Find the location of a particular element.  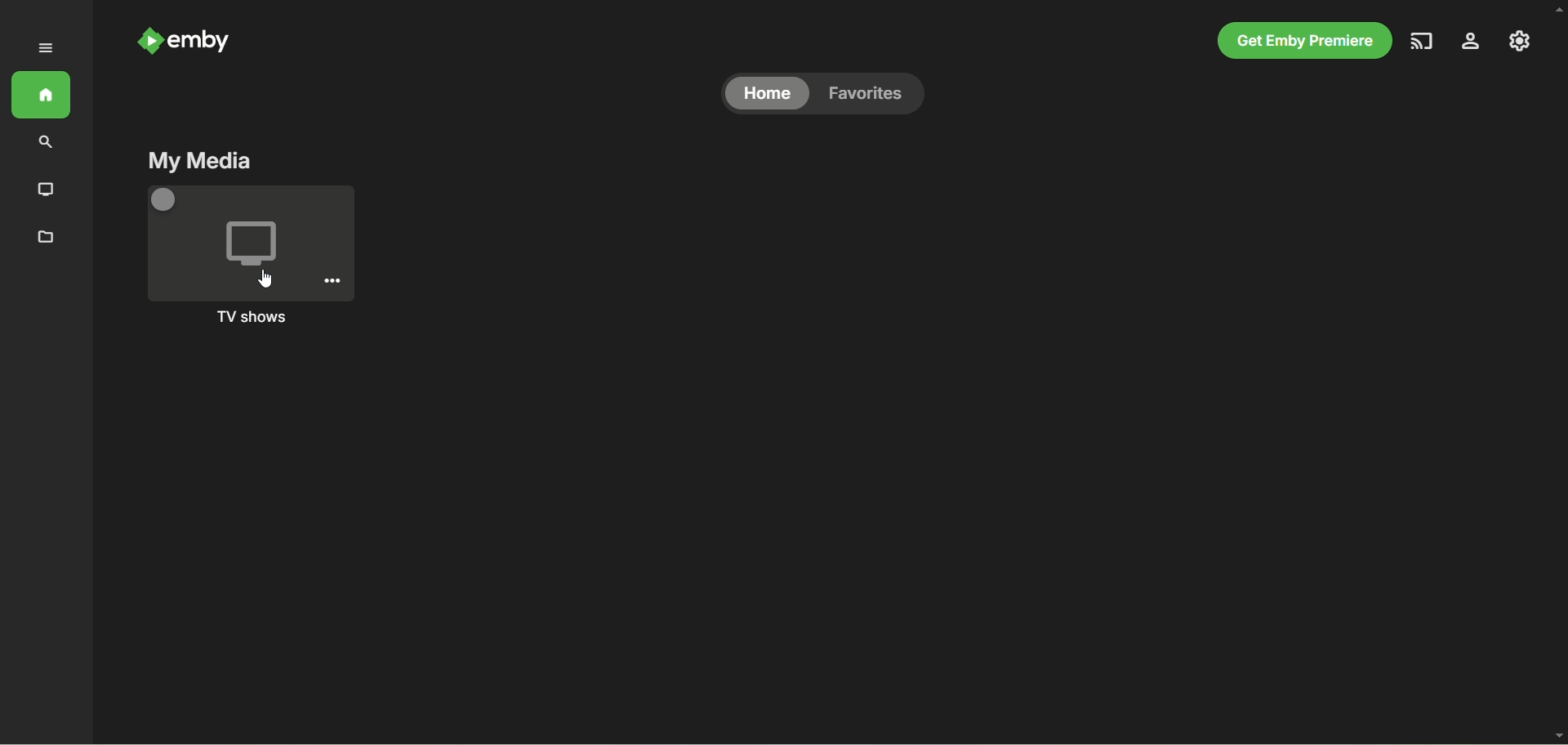

Settings is located at coordinates (332, 280).